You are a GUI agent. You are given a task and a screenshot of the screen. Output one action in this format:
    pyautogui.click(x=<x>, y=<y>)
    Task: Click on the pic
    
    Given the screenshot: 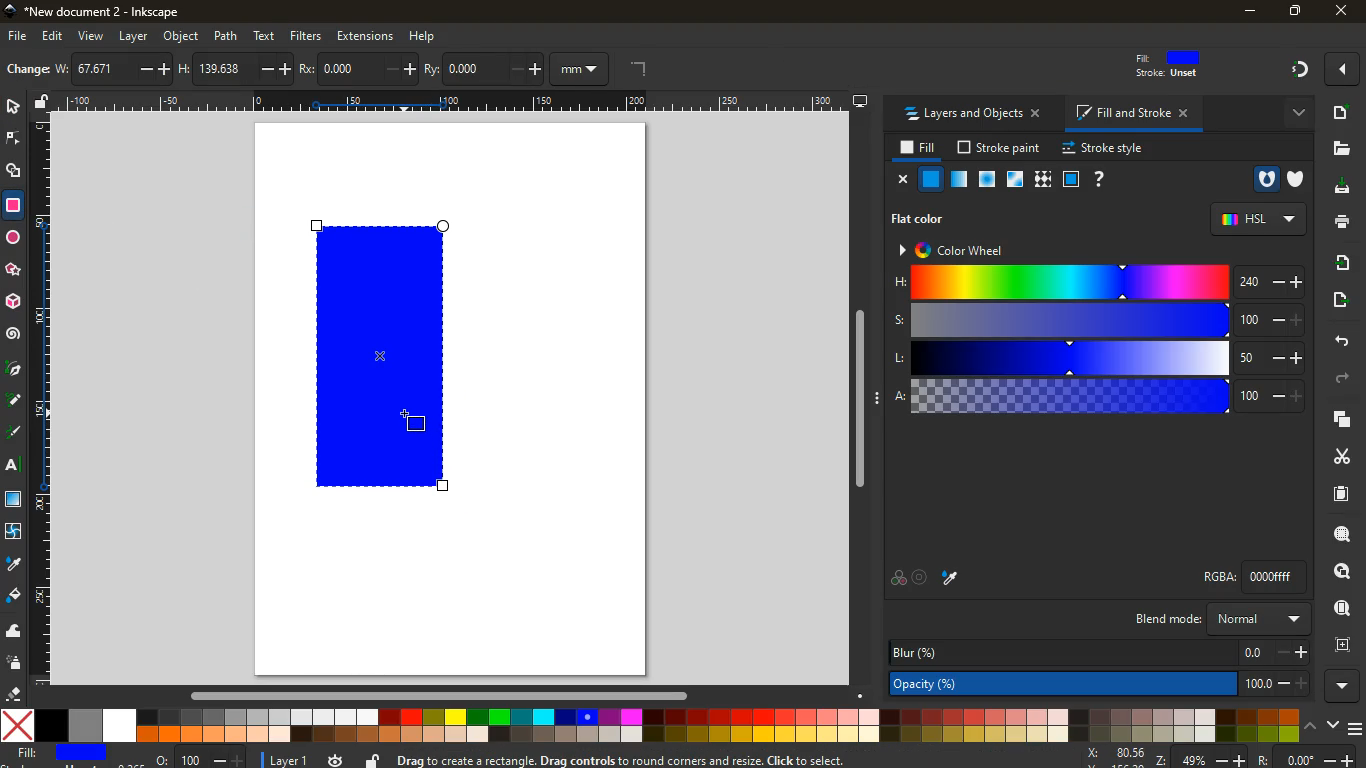 What is the action you would take?
    pyautogui.click(x=14, y=366)
    